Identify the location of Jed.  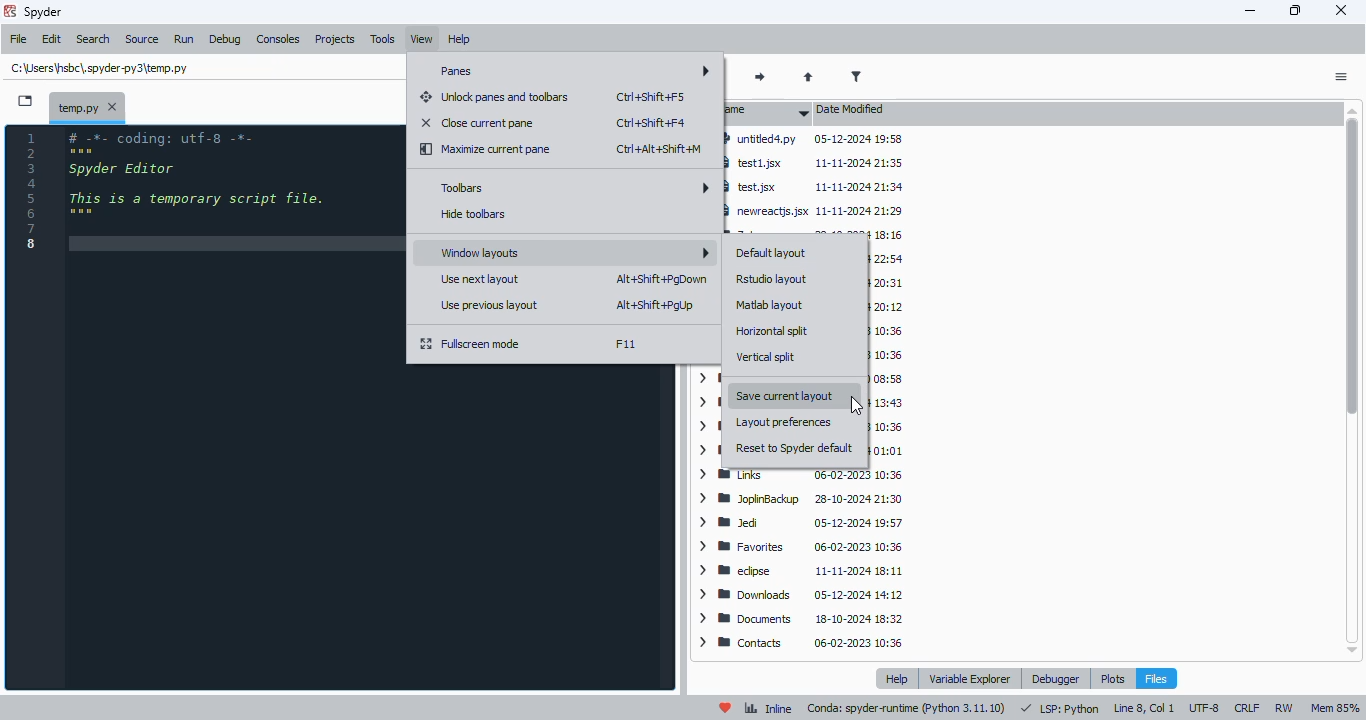
(804, 522).